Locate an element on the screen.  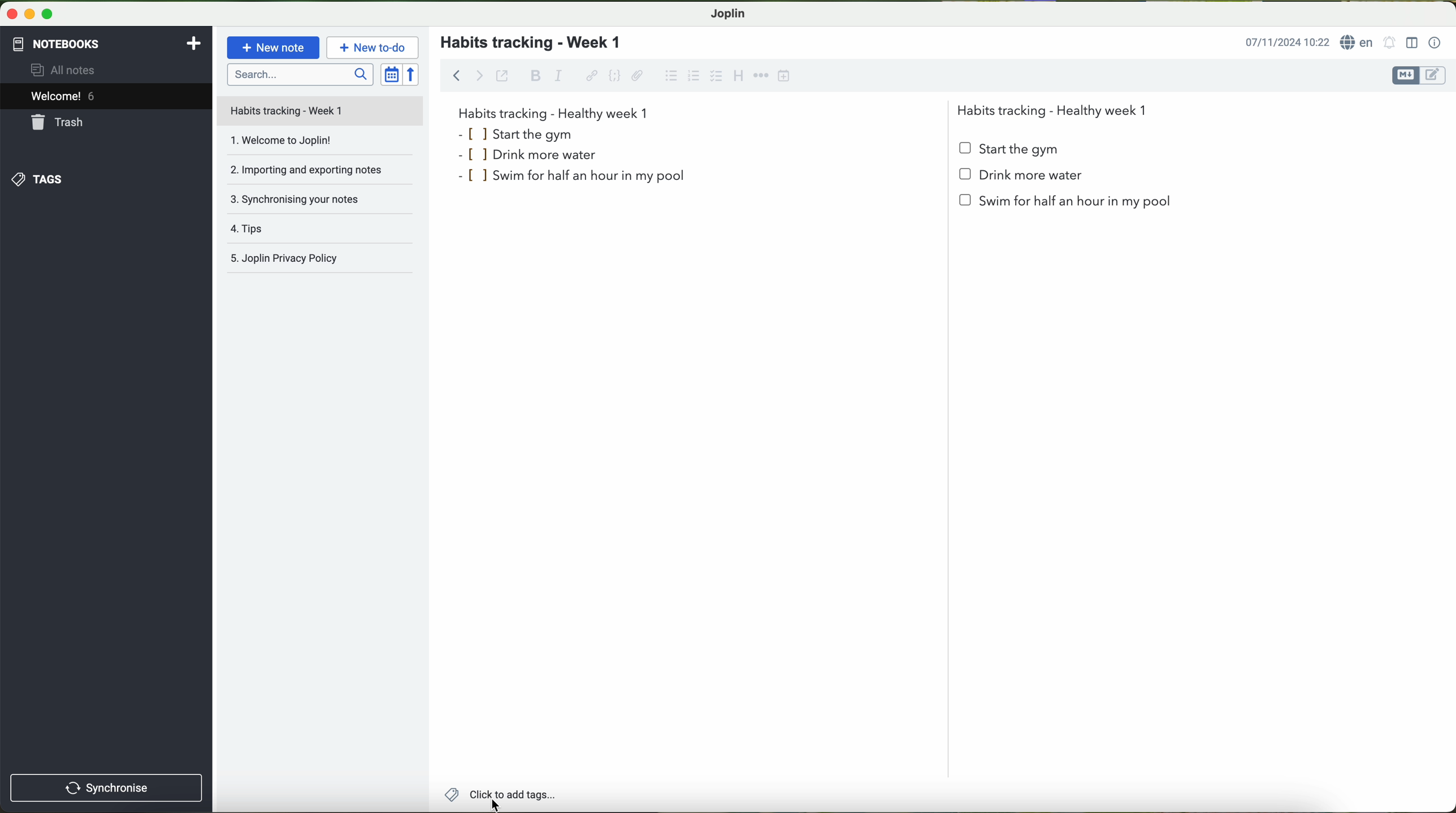
new note button is located at coordinates (274, 47).